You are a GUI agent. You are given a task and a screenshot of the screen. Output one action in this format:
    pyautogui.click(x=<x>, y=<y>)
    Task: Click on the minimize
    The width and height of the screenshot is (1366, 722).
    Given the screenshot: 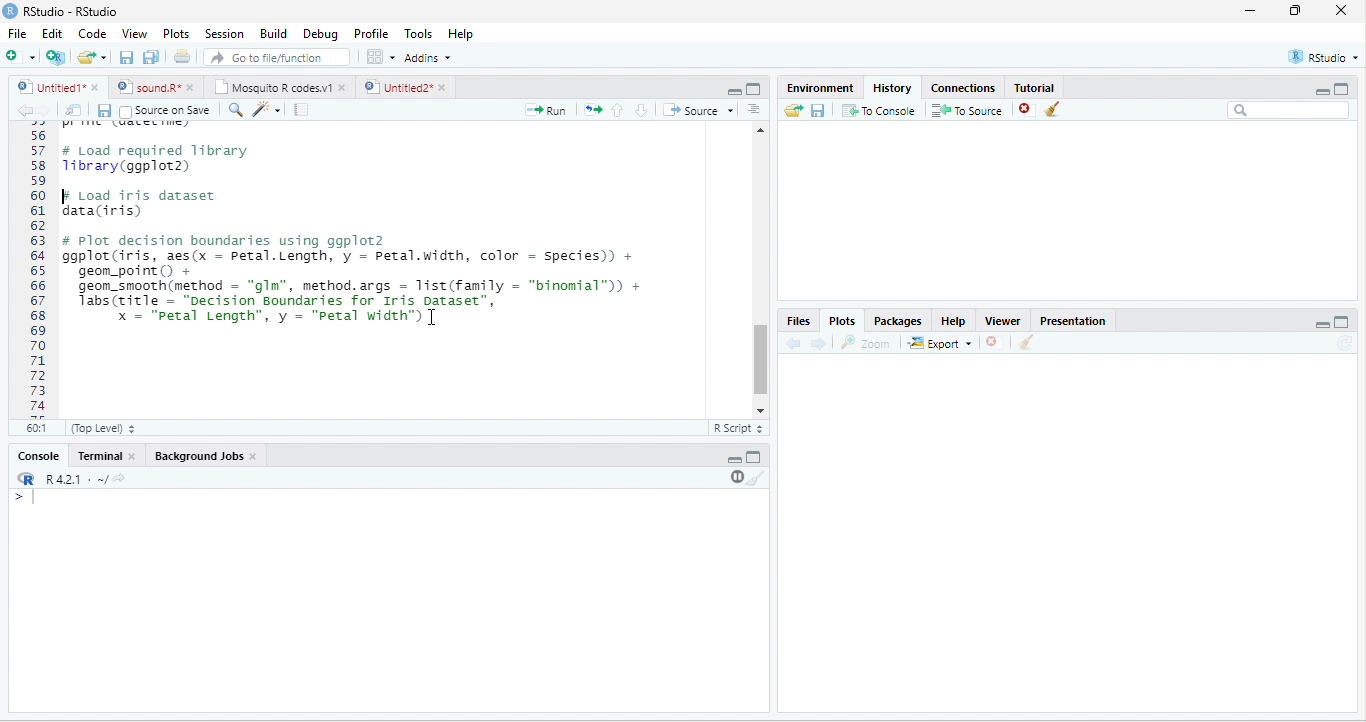 What is the action you would take?
    pyautogui.click(x=734, y=92)
    